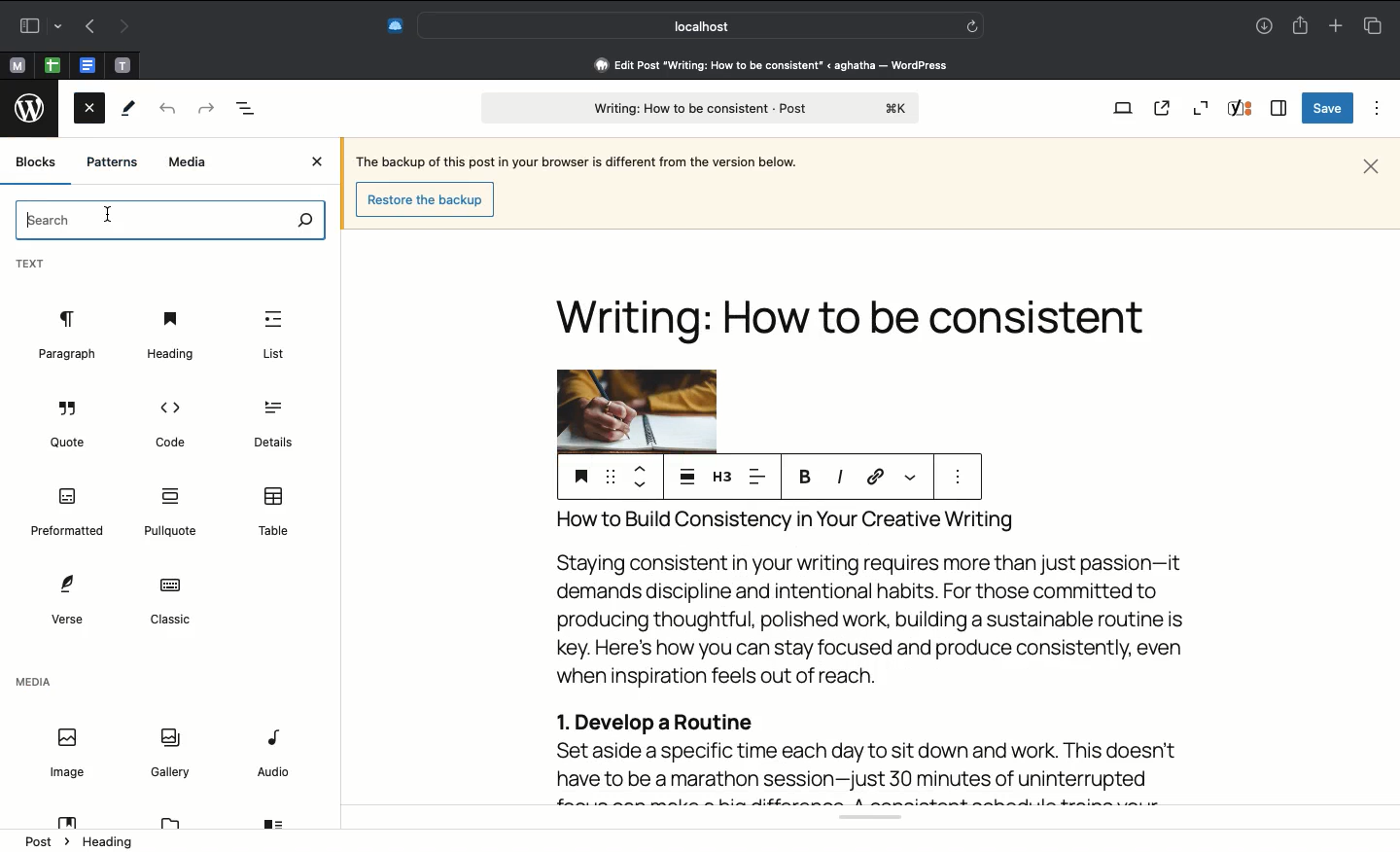  Describe the element at coordinates (170, 751) in the screenshot. I see `Gallery` at that location.